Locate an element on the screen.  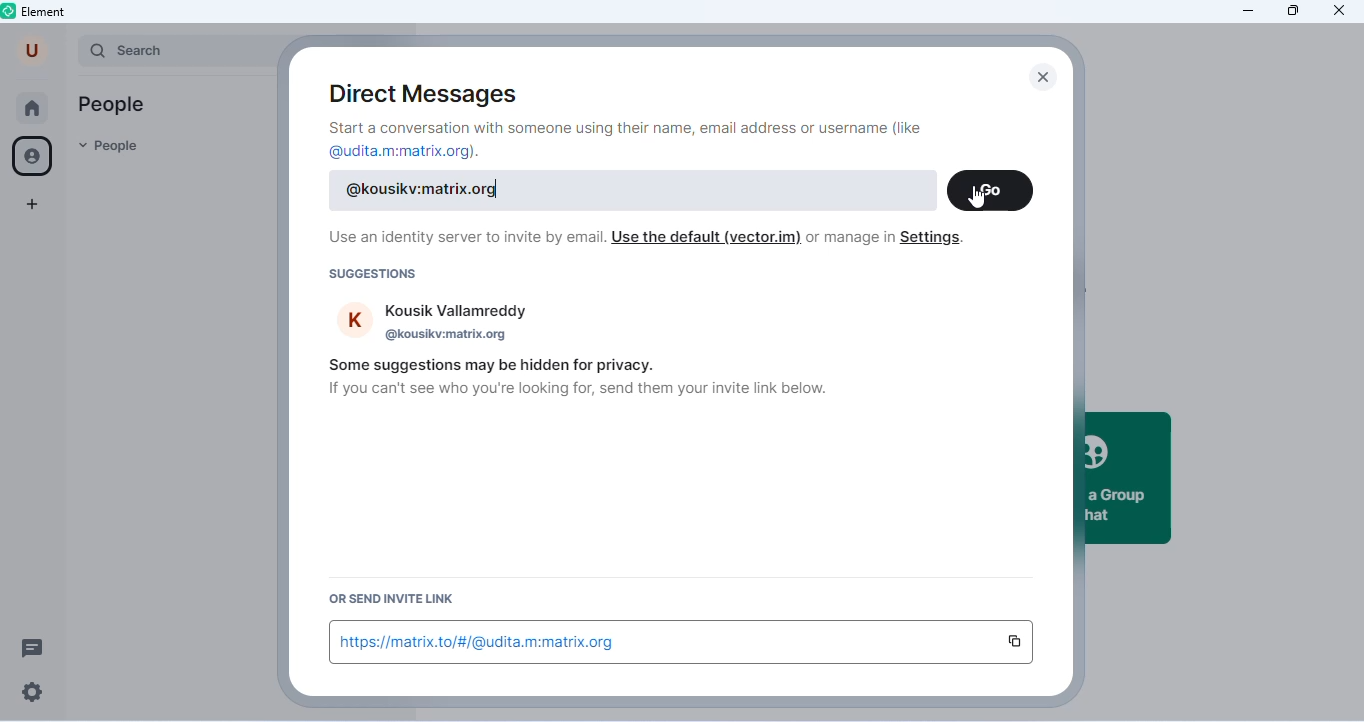
create a group chat is located at coordinates (1129, 478).